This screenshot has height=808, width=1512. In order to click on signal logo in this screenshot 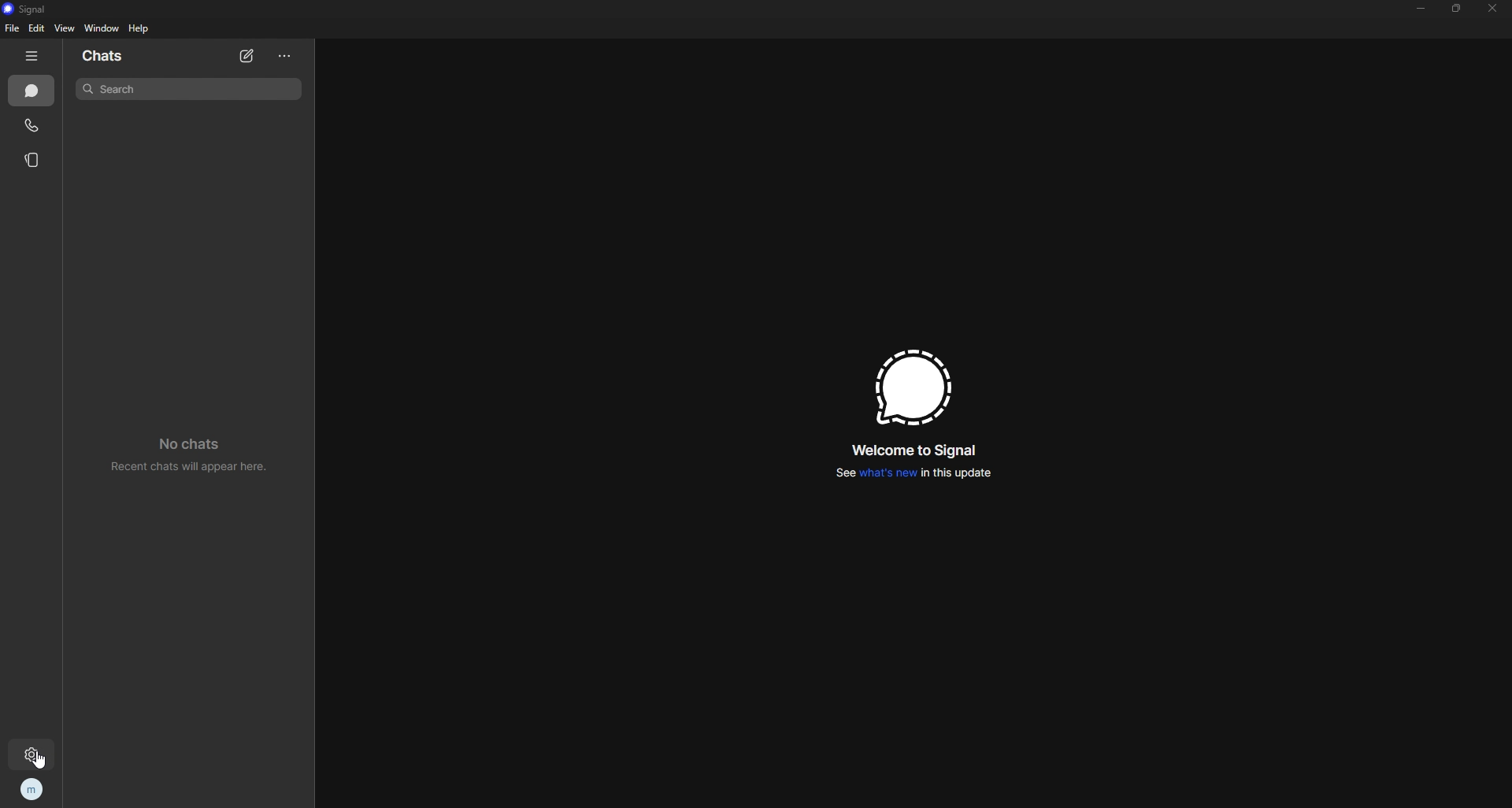, I will do `click(910, 388)`.